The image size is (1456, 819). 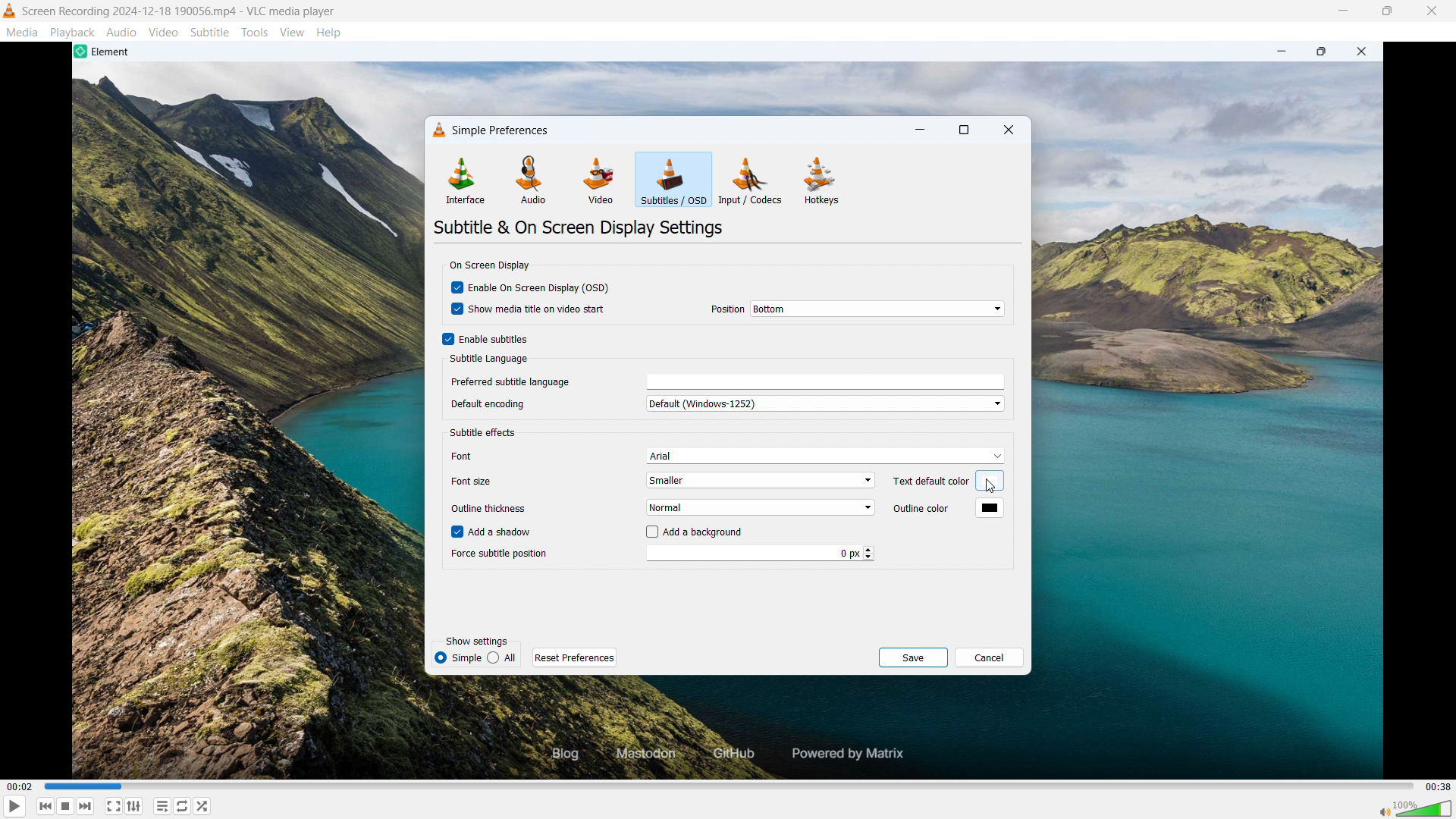 I want to click on Enable subtitles , so click(x=496, y=338).